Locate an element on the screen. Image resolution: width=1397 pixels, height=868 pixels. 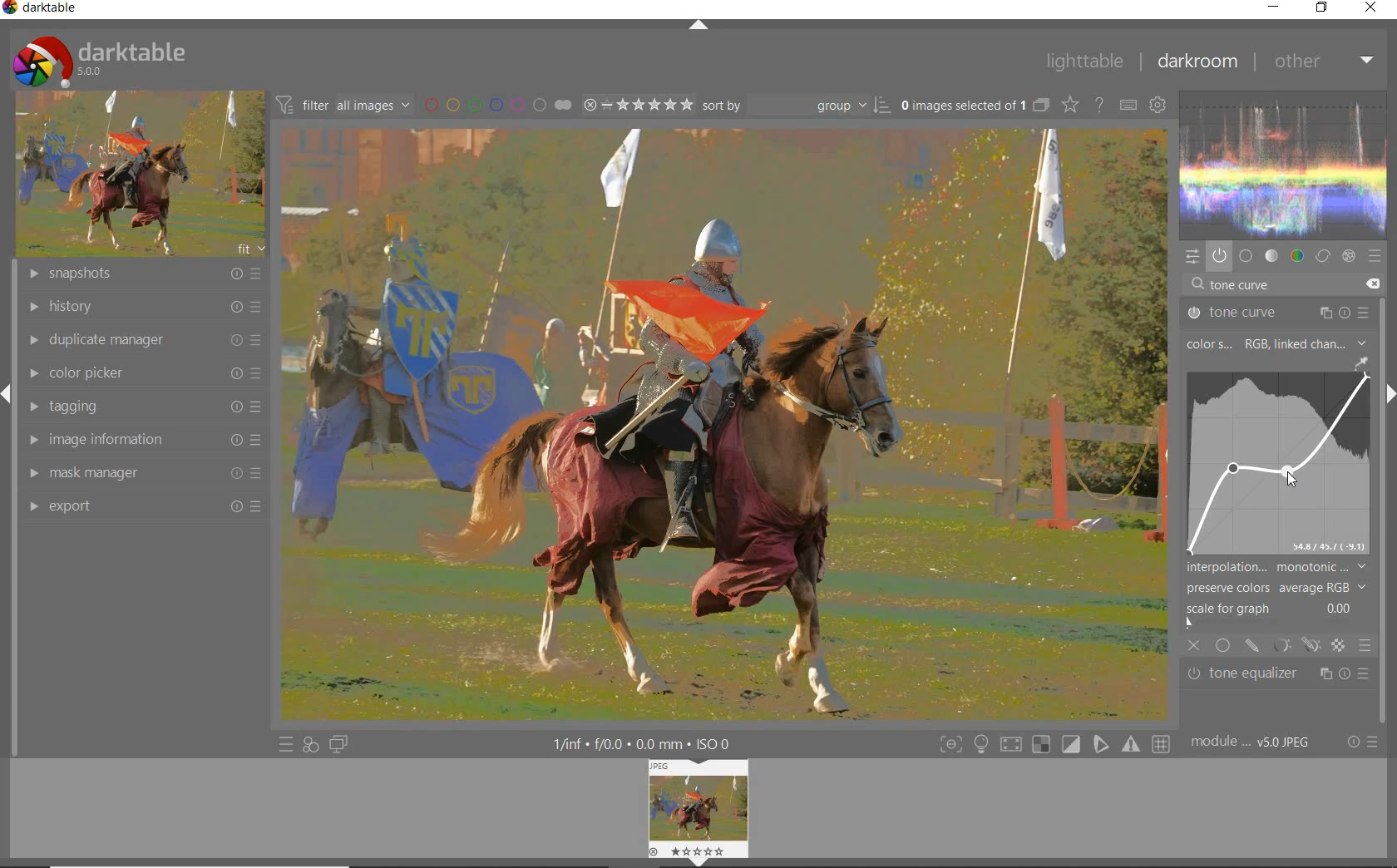
color is located at coordinates (1298, 256).